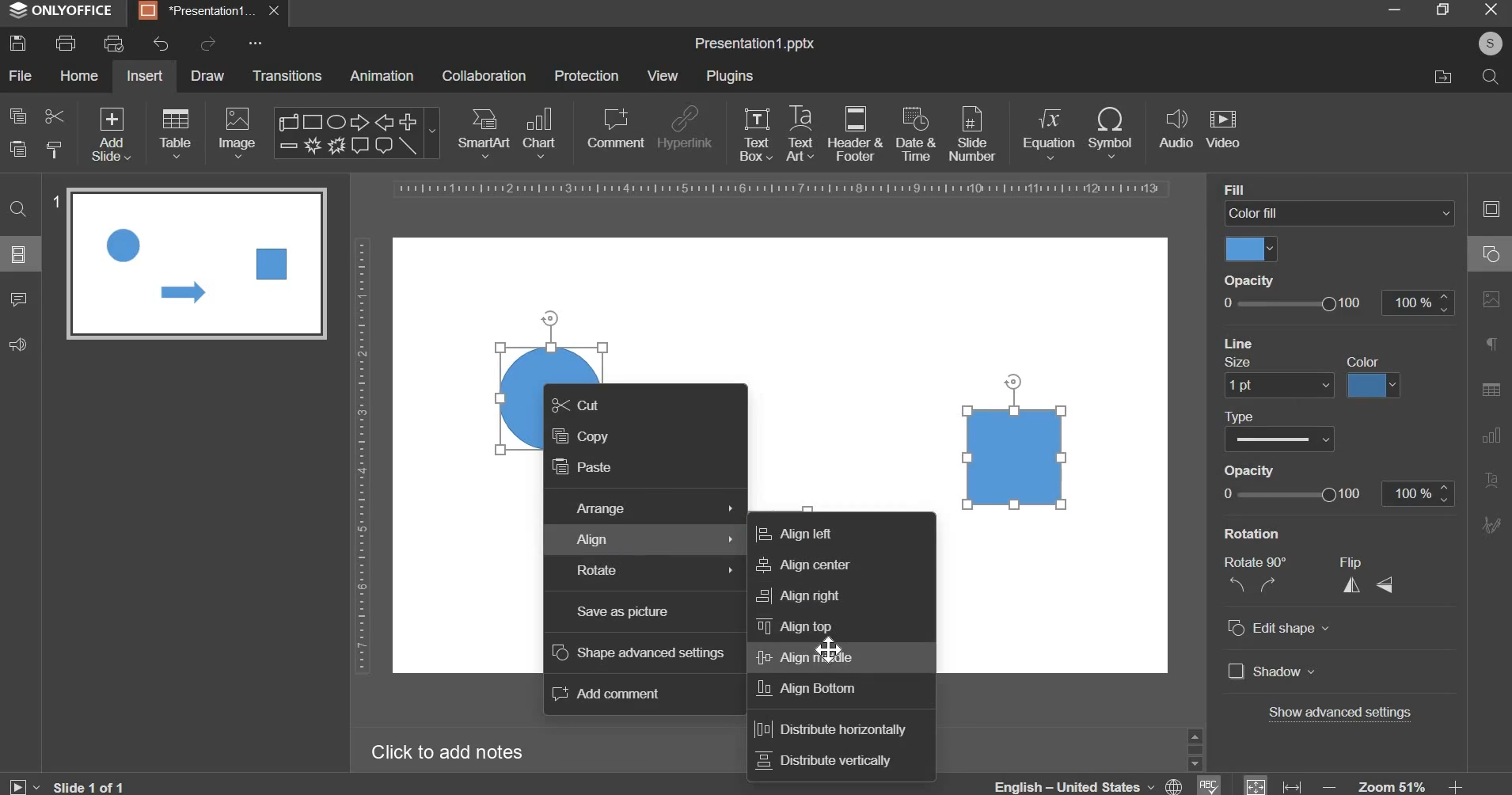  Describe the element at coordinates (1393, 9) in the screenshot. I see `minimize` at that location.